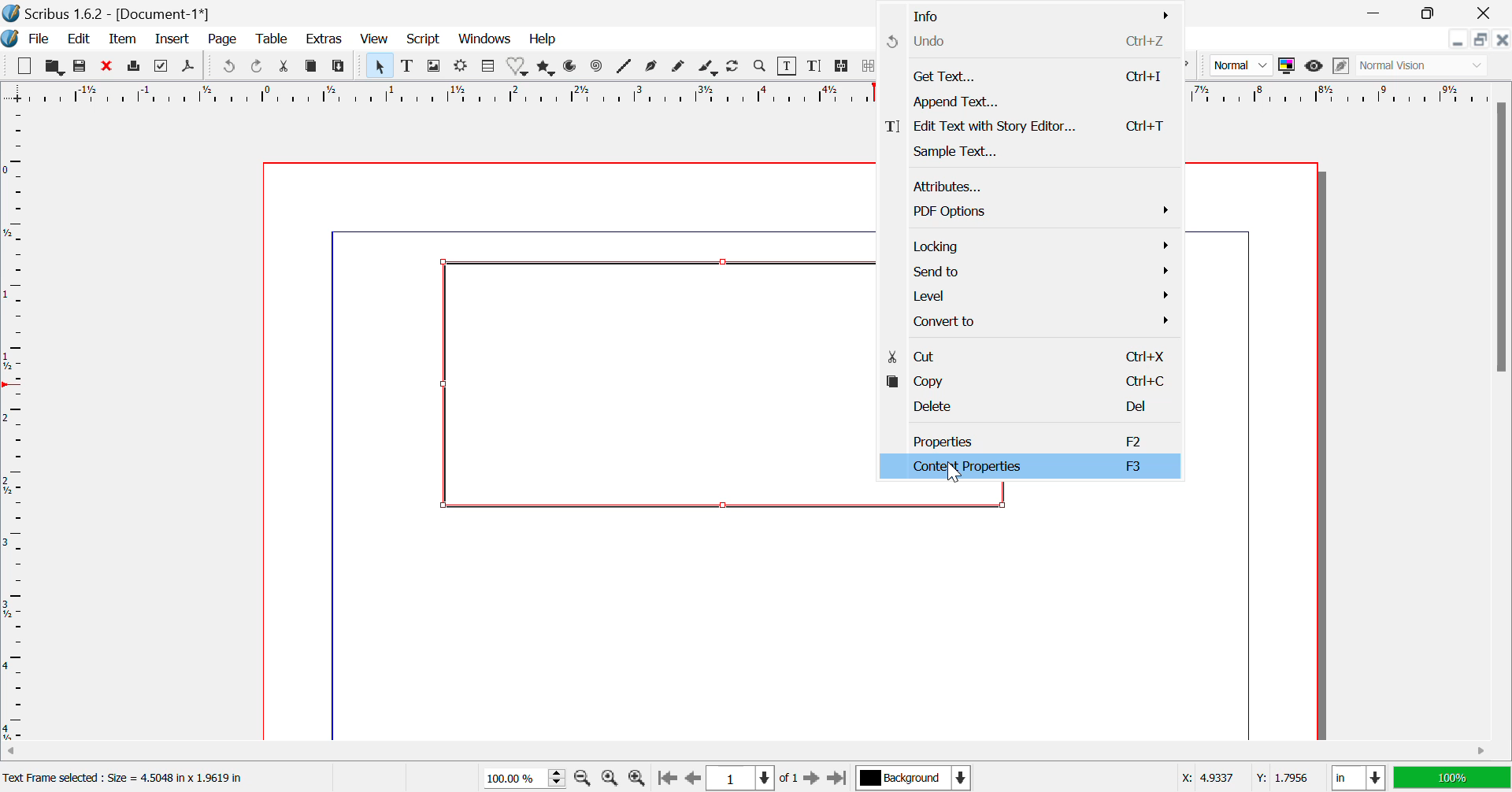  What do you see at coordinates (1429, 12) in the screenshot?
I see `Minimize` at bounding box center [1429, 12].